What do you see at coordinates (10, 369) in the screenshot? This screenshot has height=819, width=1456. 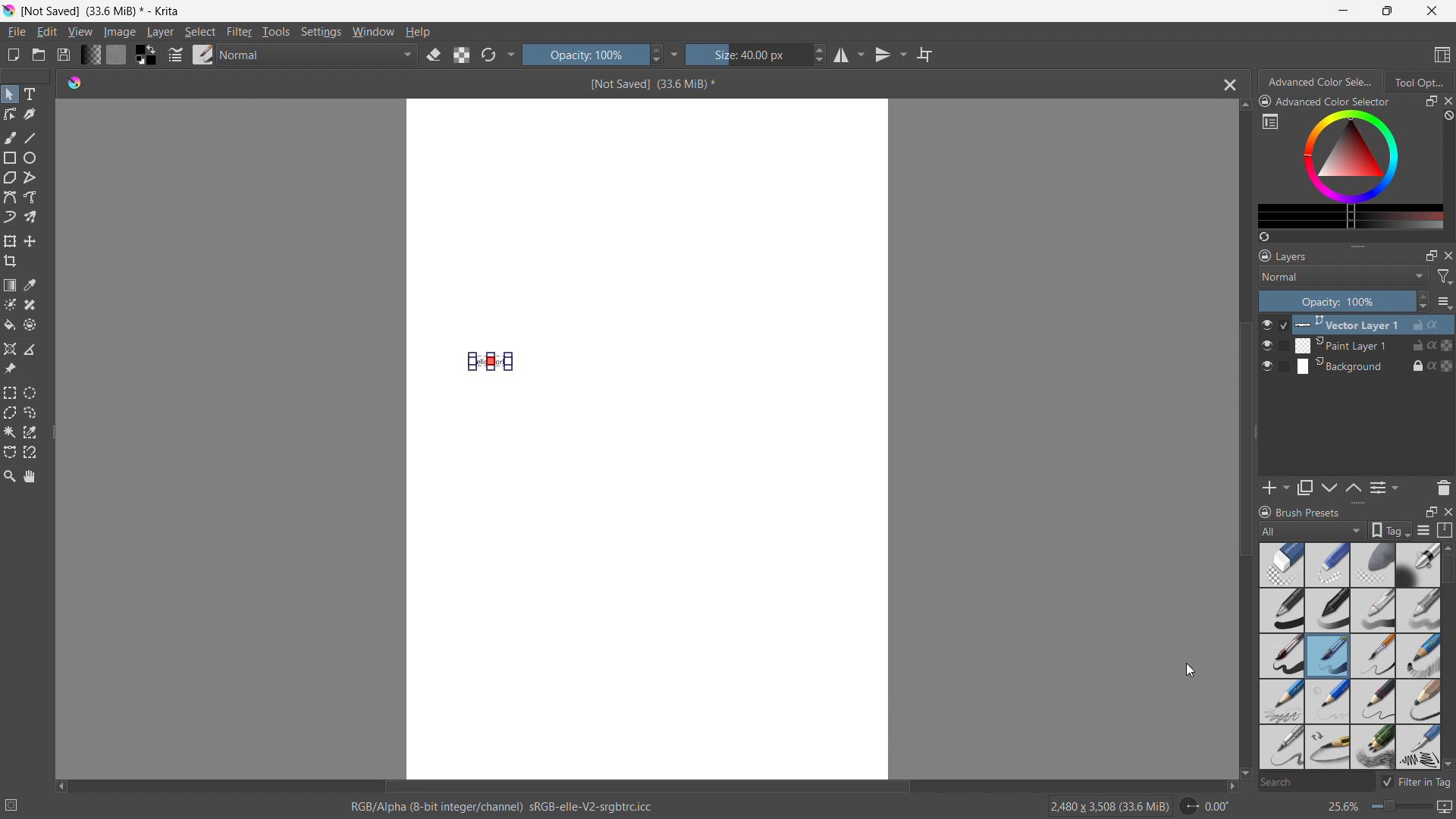 I see `reference images tool` at bounding box center [10, 369].